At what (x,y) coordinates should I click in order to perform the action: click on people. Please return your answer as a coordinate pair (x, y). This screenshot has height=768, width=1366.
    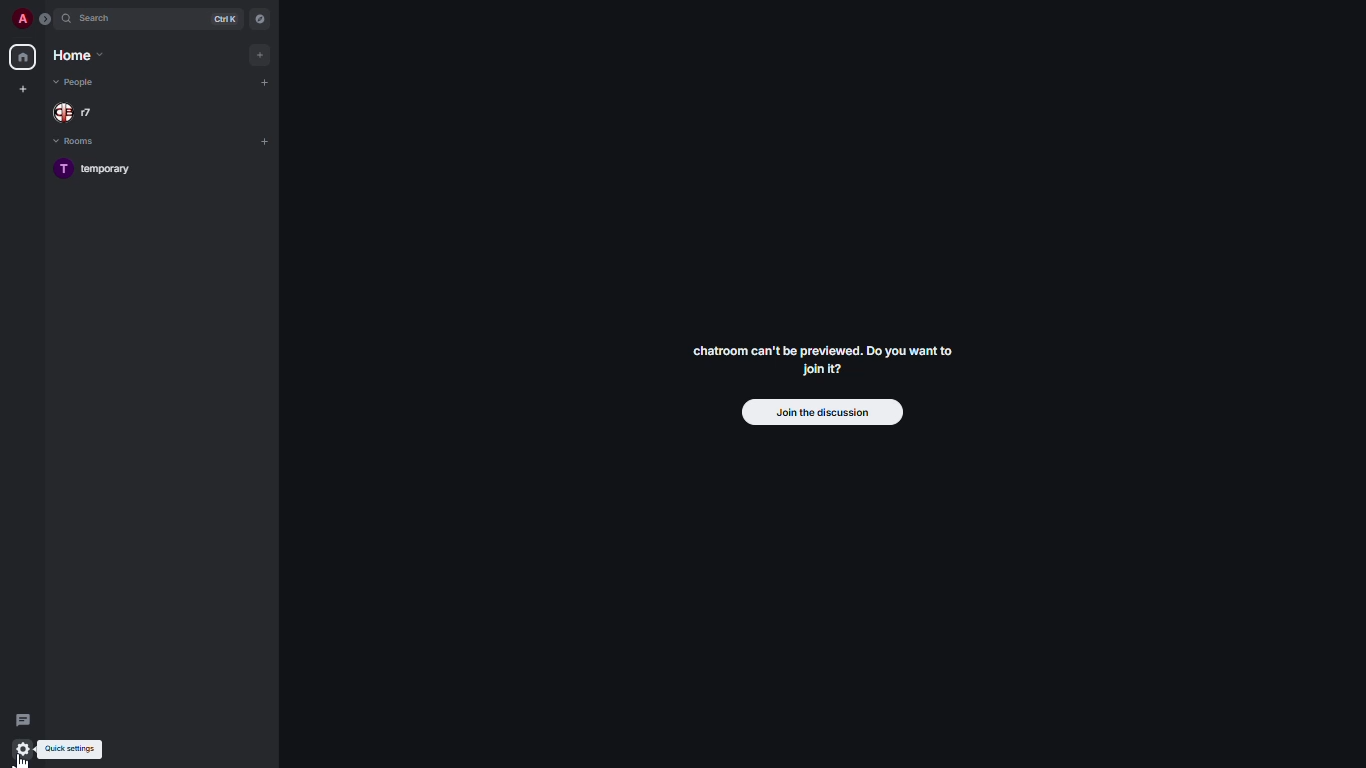
    Looking at the image, I should click on (78, 111).